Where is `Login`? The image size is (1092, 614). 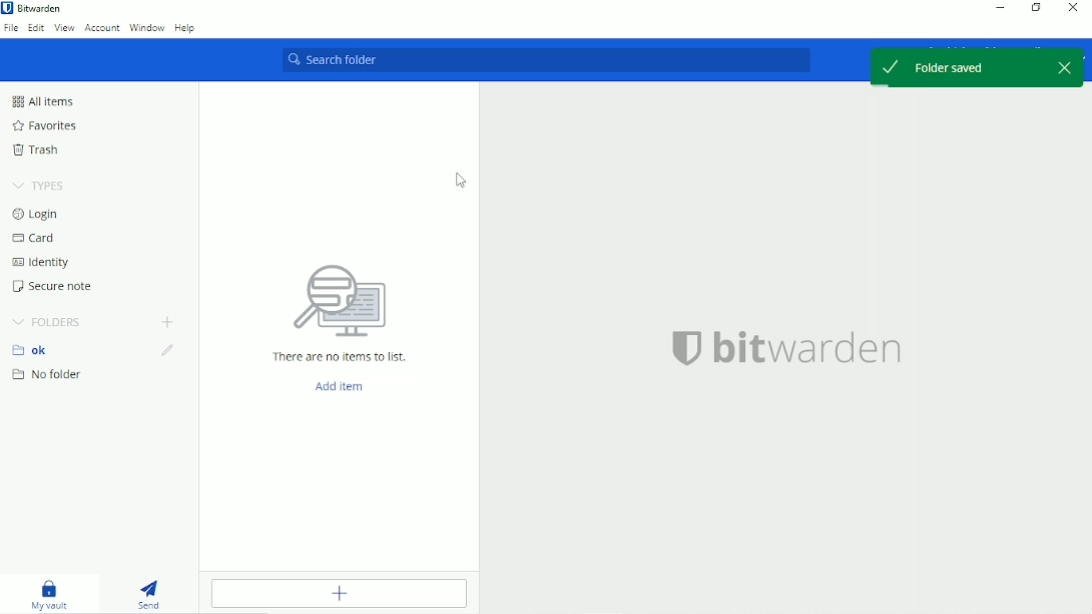 Login is located at coordinates (40, 214).